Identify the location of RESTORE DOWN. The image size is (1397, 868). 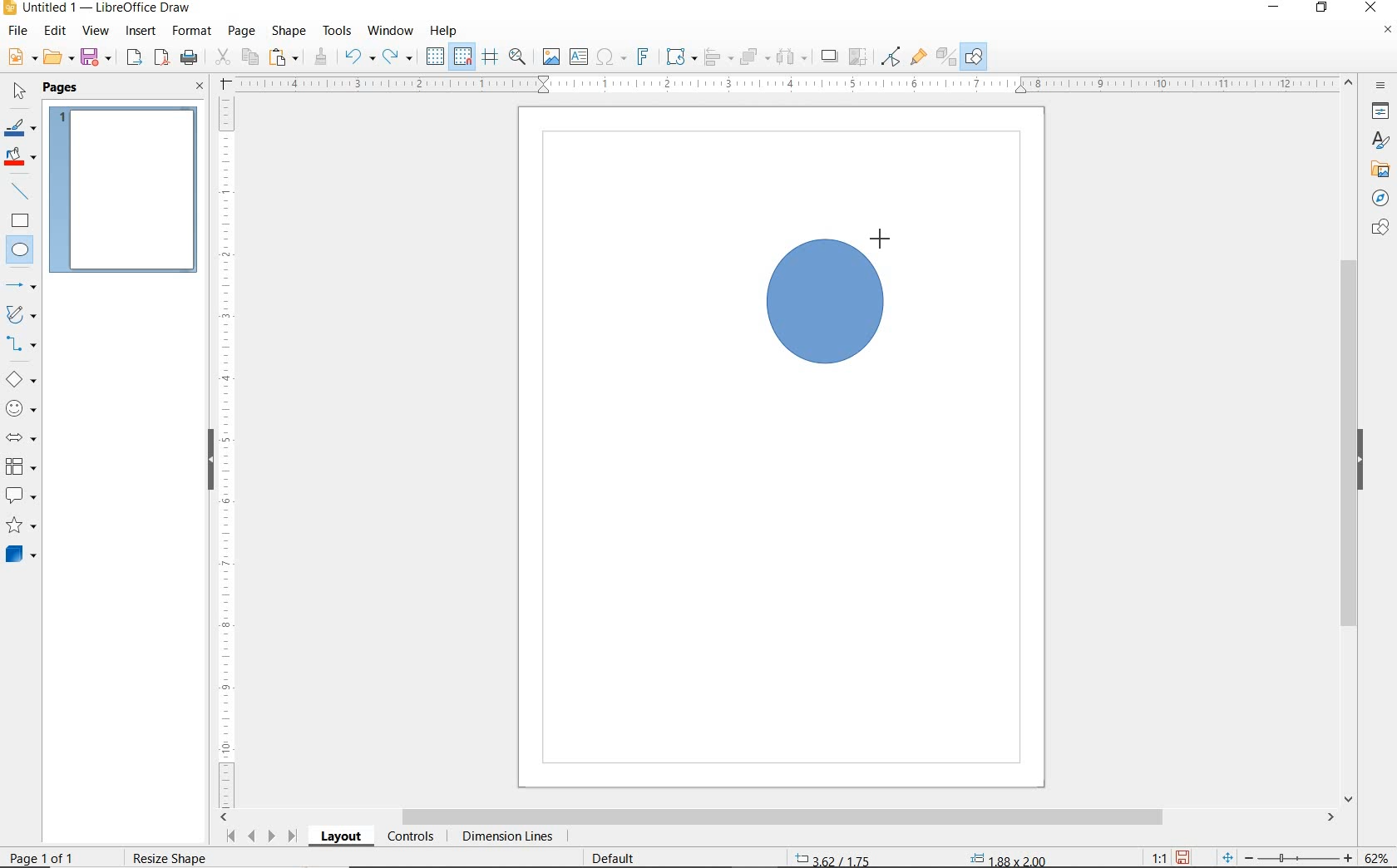
(1322, 8).